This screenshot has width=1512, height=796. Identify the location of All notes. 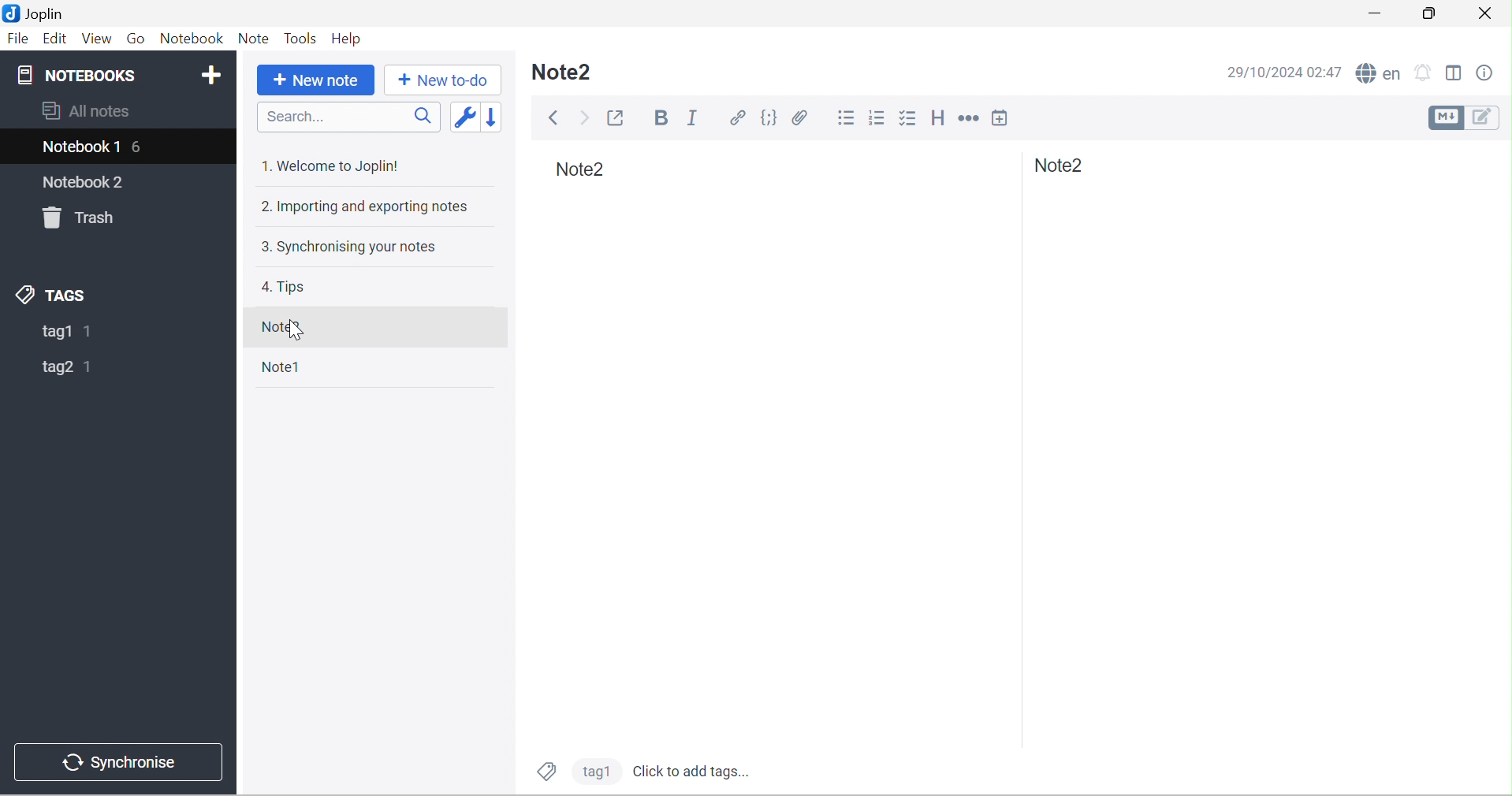
(88, 110).